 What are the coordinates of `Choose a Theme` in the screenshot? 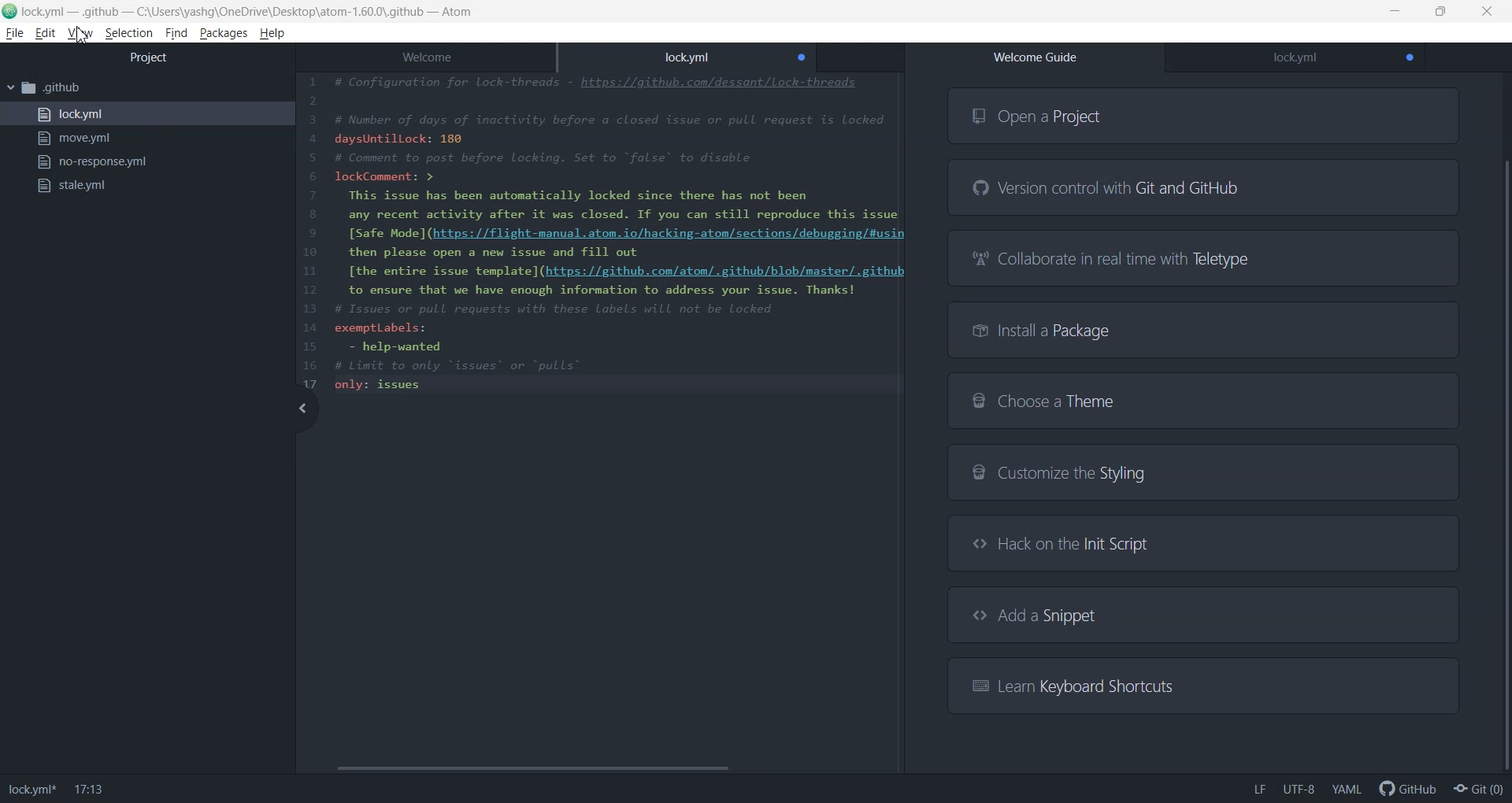 It's located at (1202, 400).